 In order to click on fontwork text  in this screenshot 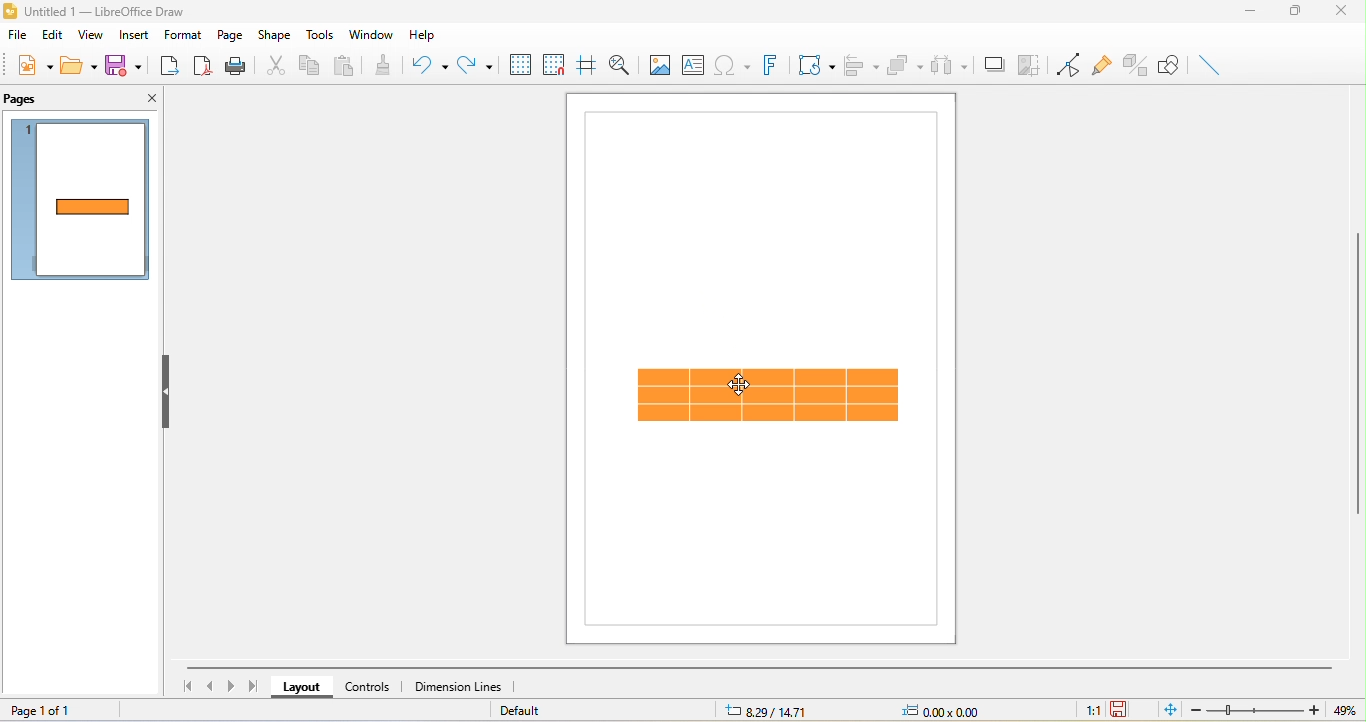, I will do `click(771, 65)`.